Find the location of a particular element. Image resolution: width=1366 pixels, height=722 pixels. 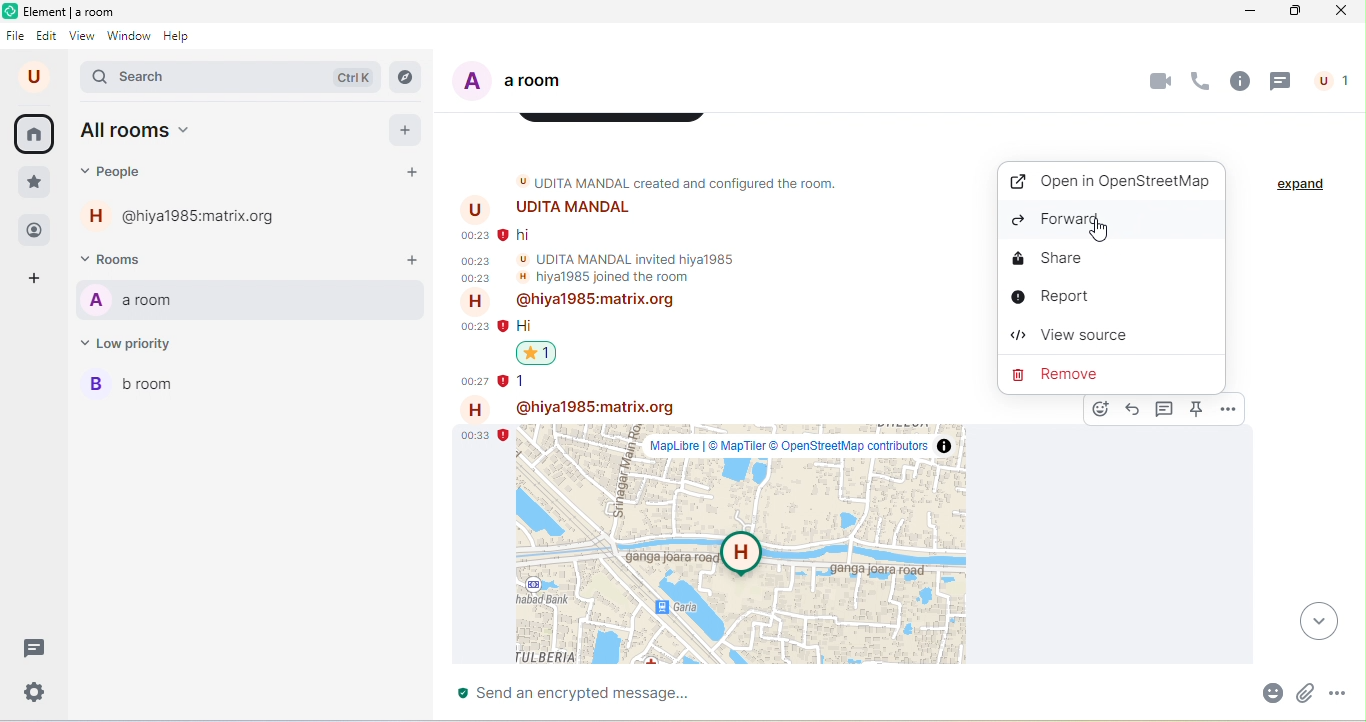

notifications toggle is located at coordinates (413, 299).